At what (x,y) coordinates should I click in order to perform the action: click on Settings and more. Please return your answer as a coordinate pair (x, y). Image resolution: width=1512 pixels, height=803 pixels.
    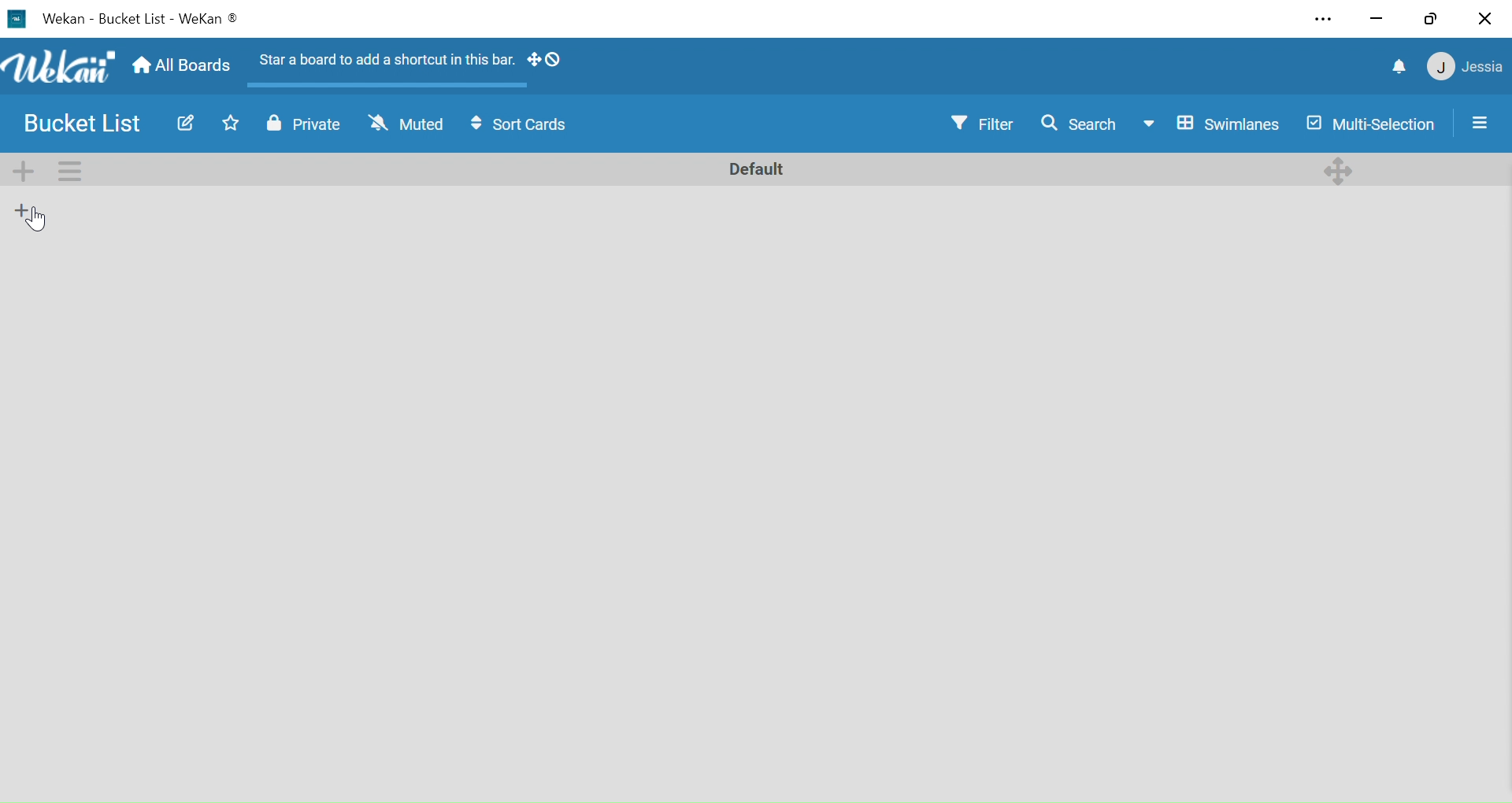
    Looking at the image, I should click on (1327, 20).